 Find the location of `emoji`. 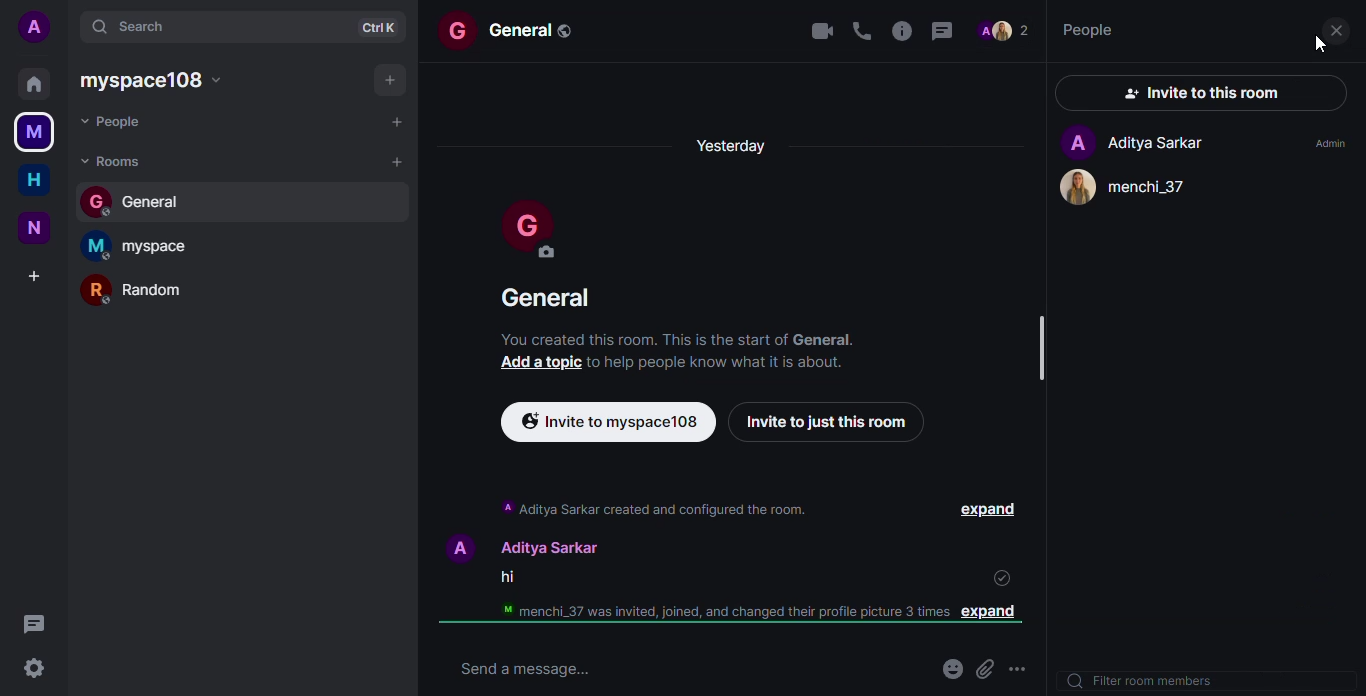

emoji is located at coordinates (949, 668).